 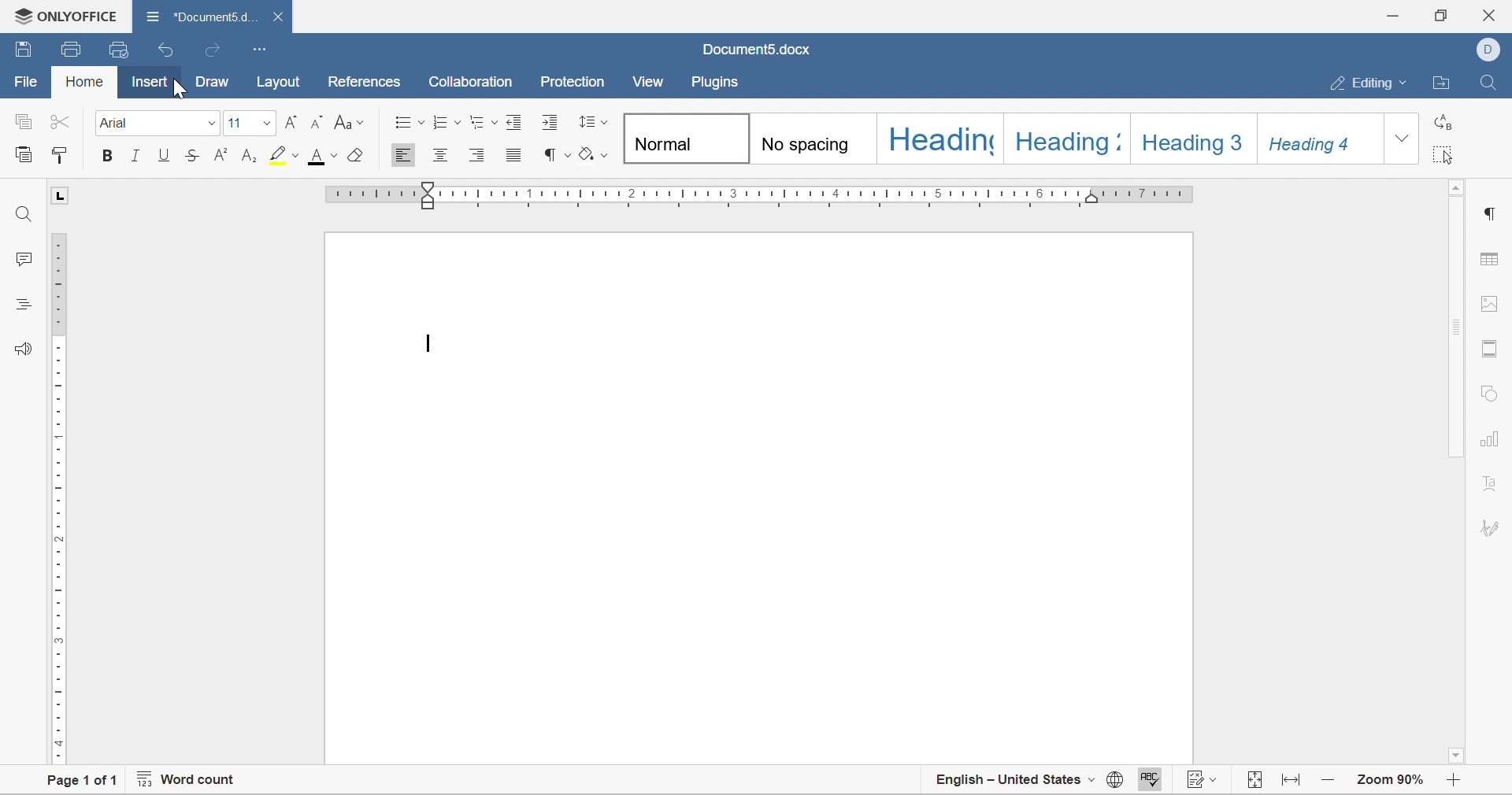 I want to click on layout, so click(x=279, y=83).